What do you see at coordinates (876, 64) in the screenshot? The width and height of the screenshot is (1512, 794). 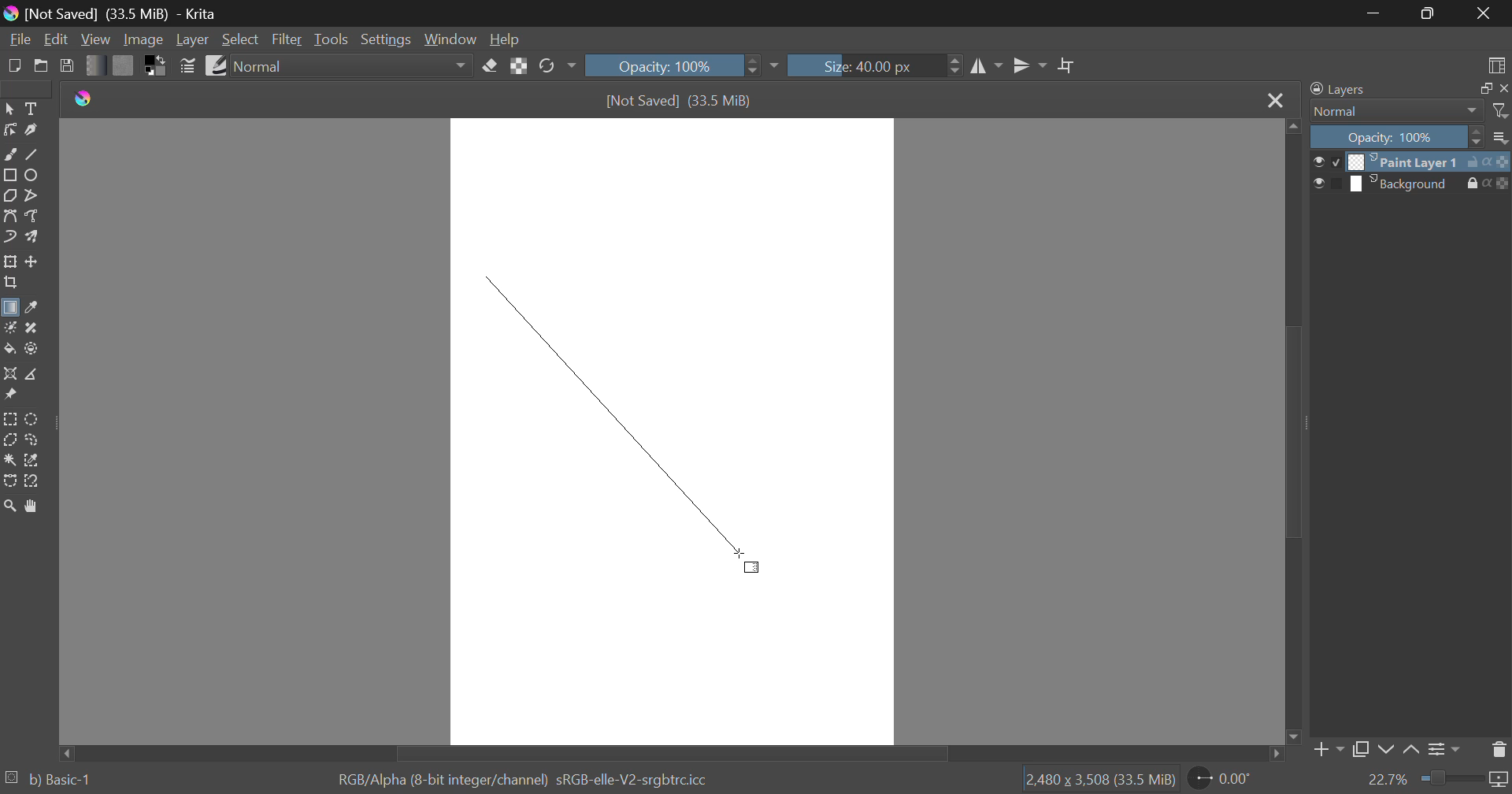 I see `Size: 40.00 px` at bounding box center [876, 64].